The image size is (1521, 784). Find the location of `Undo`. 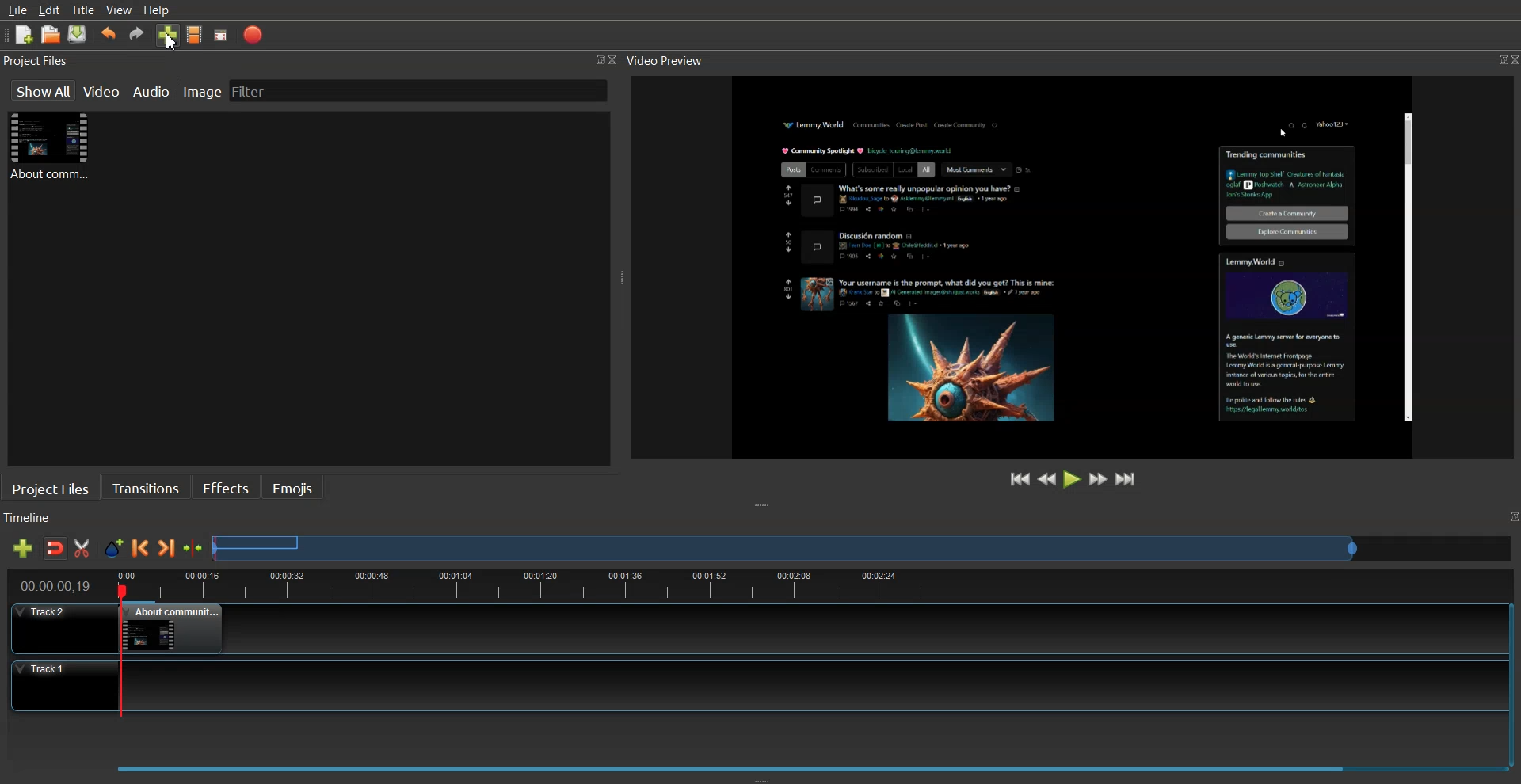

Undo is located at coordinates (109, 34).